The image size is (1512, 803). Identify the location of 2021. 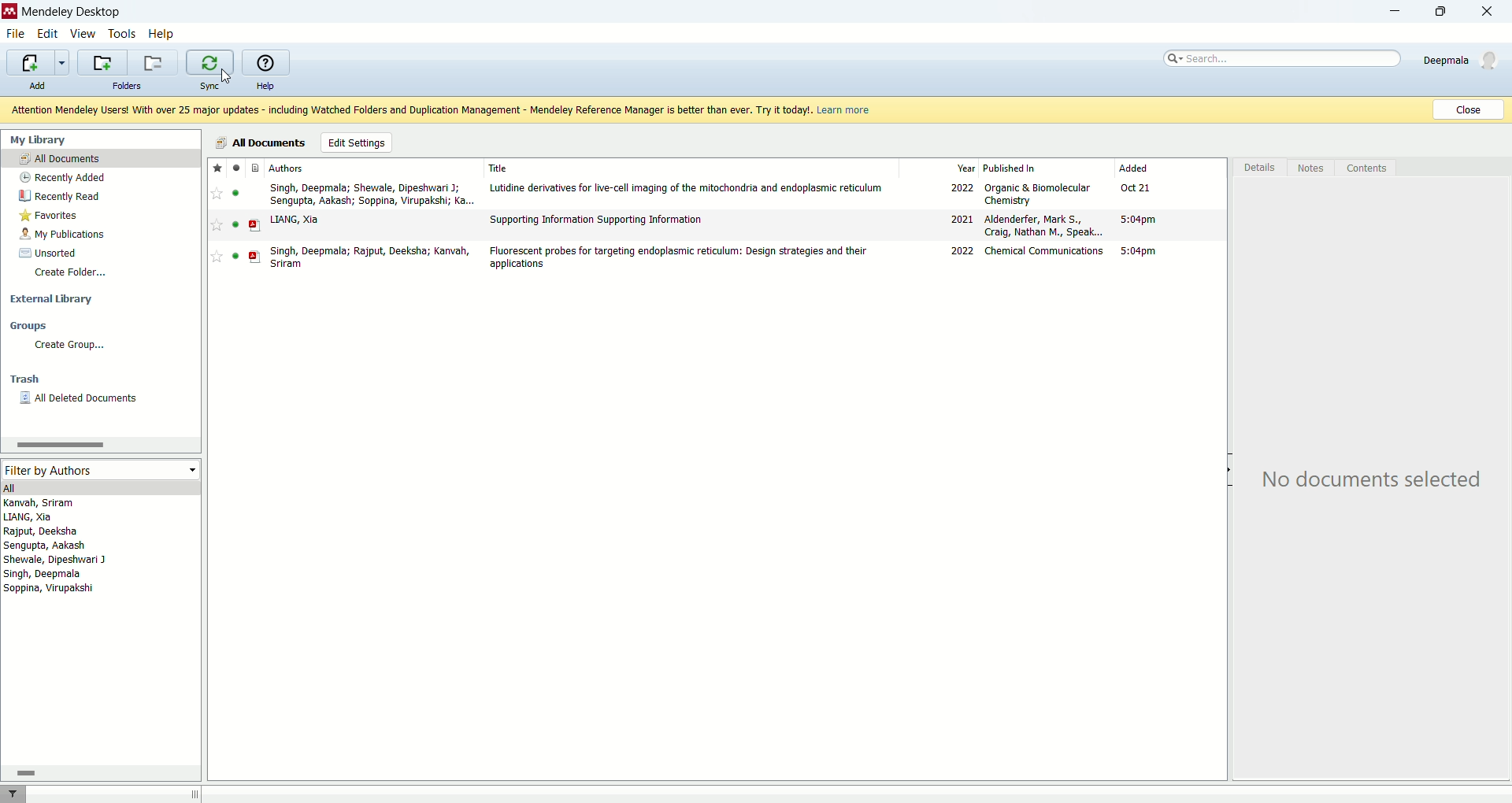
(962, 224).